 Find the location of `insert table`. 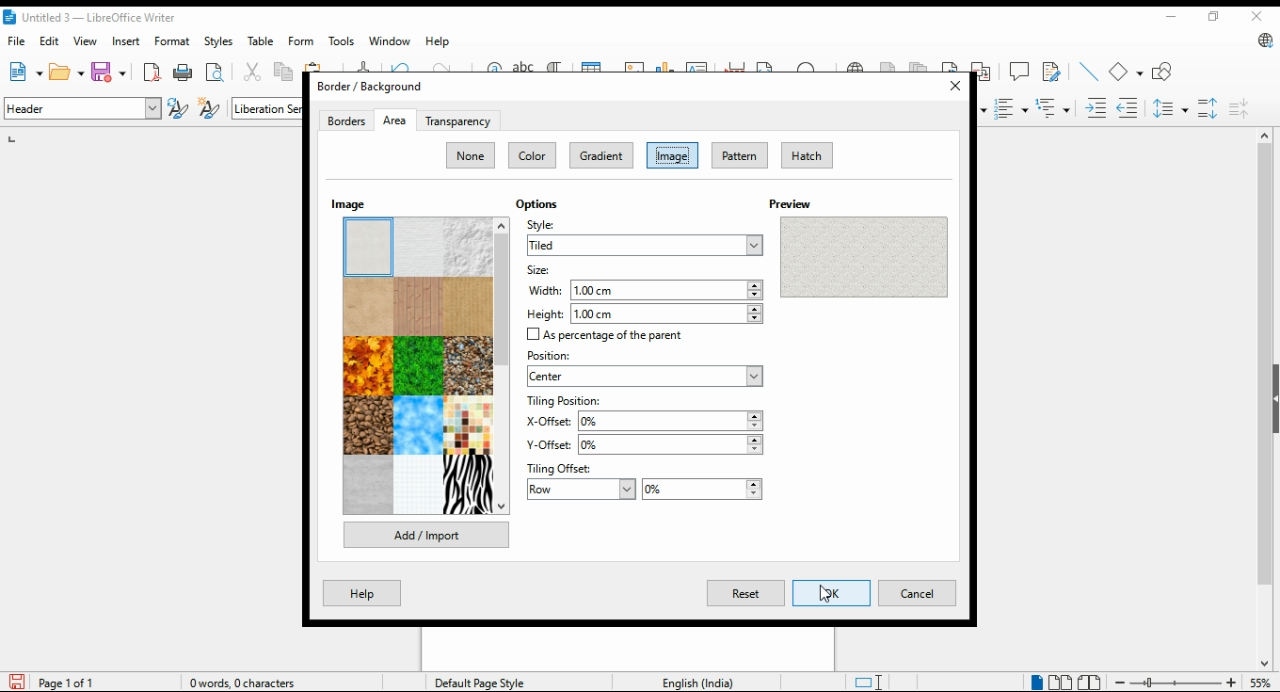

insert table is located at coordinates (597, 65).